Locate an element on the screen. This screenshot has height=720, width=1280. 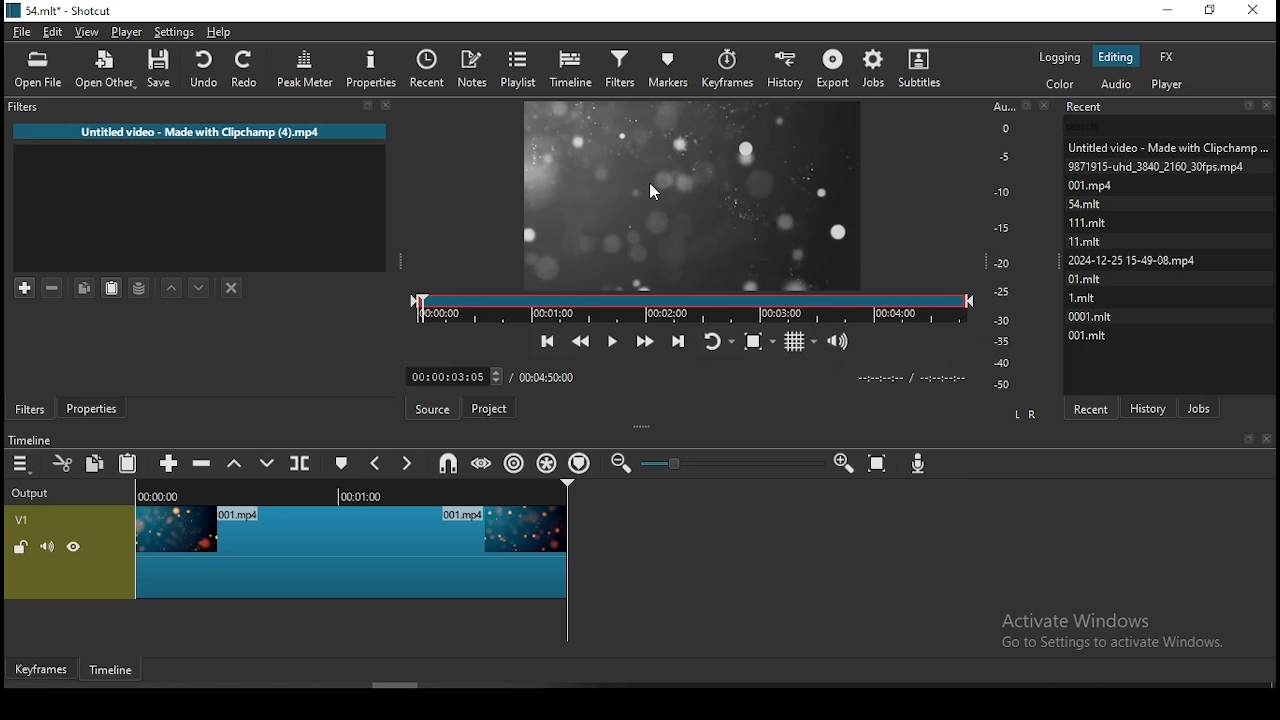
files is located at coordinates (1081, 297).